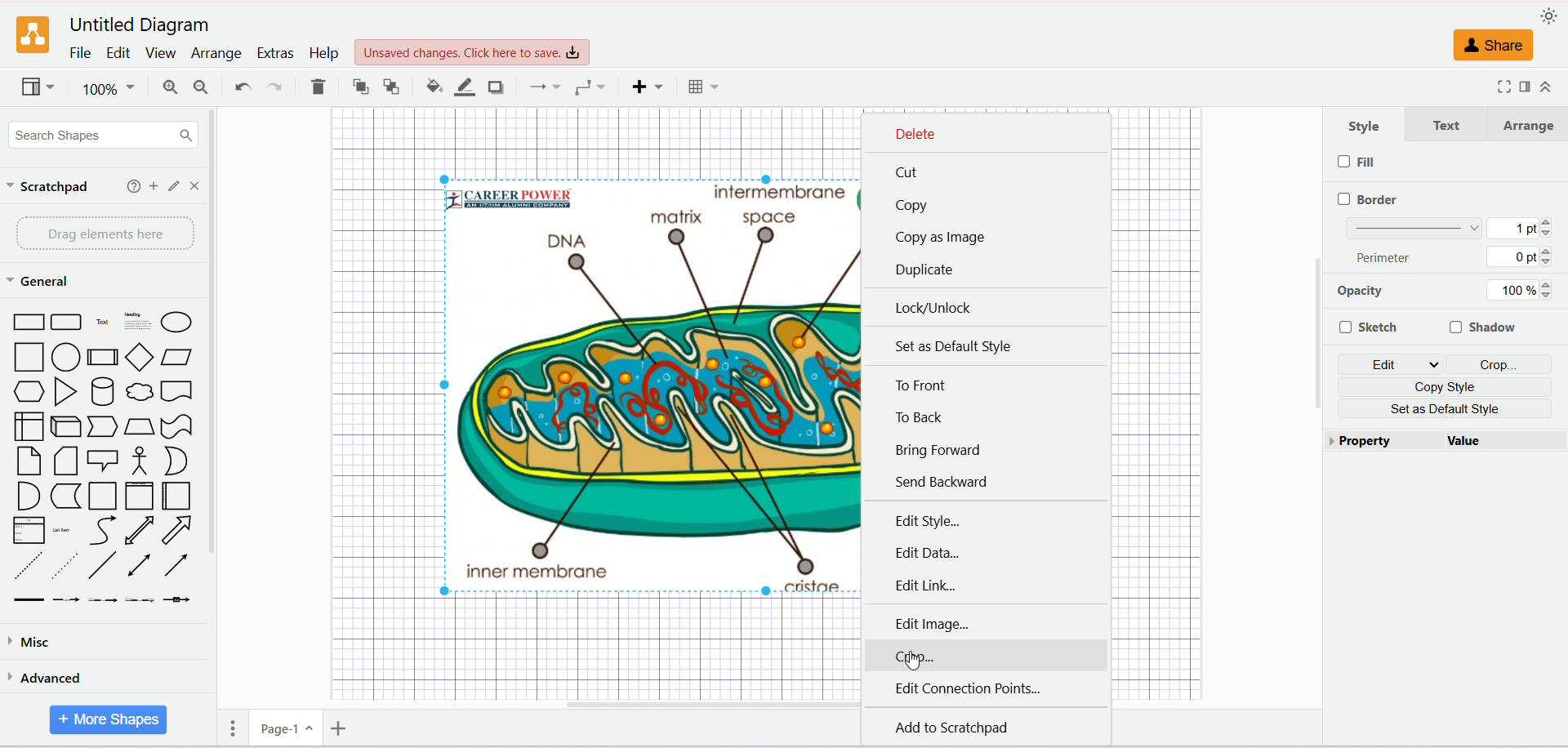  What do you see at coordinates (928, 388) in the screenshot?
I see `to front` at bounding box center [928, 388].